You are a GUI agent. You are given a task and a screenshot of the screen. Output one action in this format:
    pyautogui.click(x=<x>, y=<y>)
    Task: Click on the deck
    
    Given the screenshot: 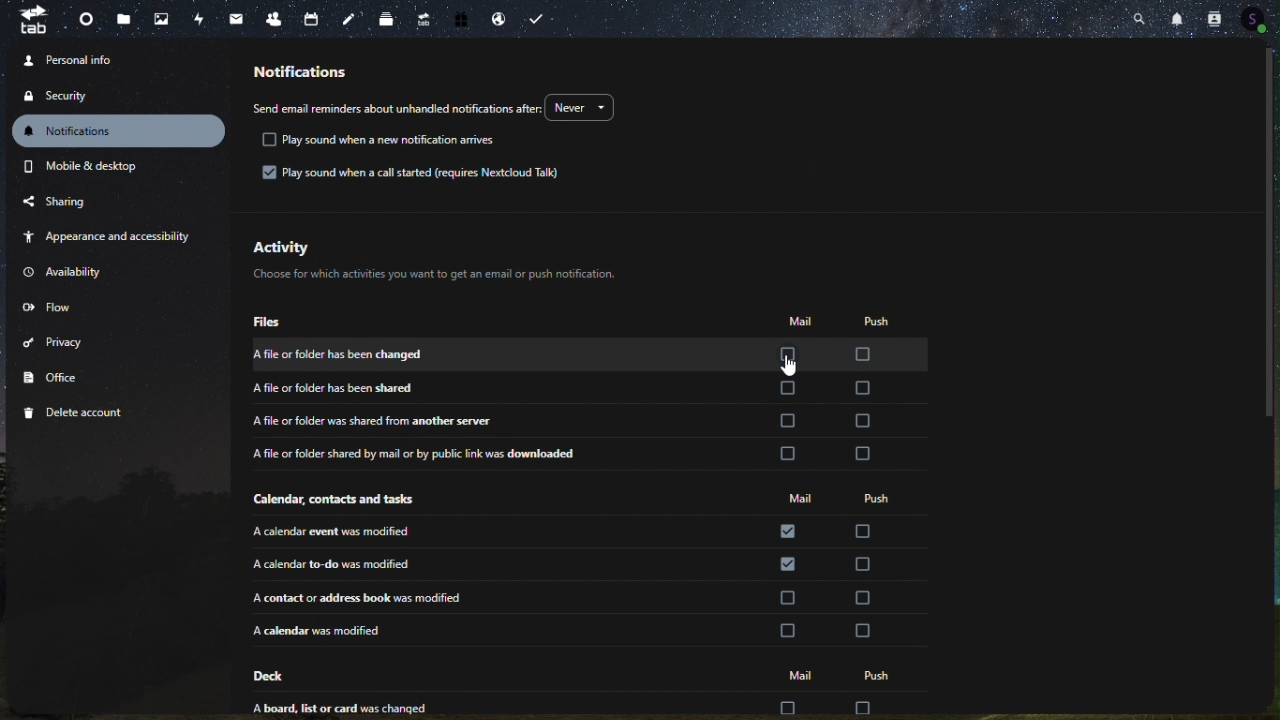 What is the action you would take?
    pyautogui.click(x=388, y=18)
    